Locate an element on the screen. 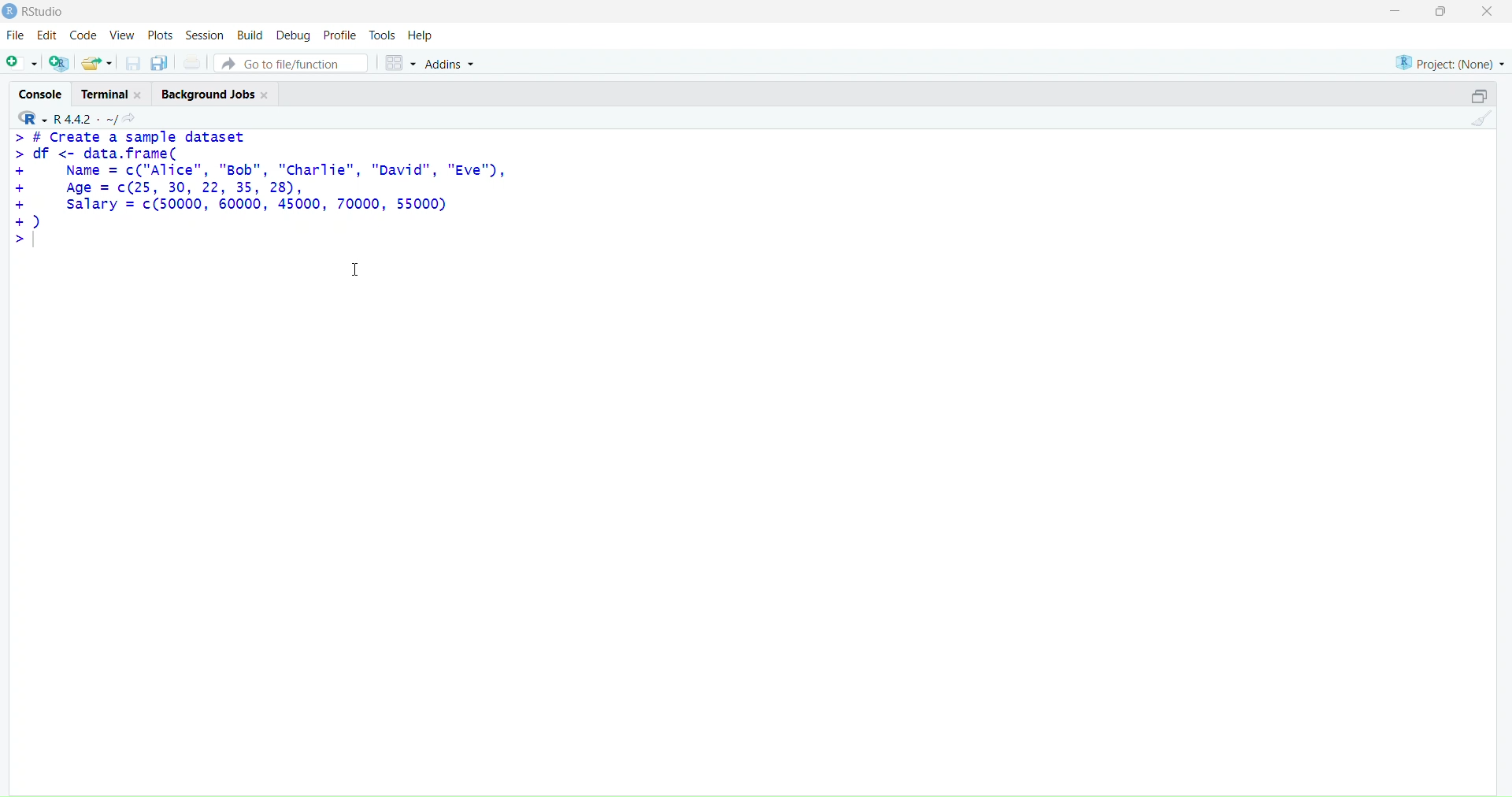 The height and width of the screenshot is (797, 1512). background jobs is located at coordinates (217, 94).